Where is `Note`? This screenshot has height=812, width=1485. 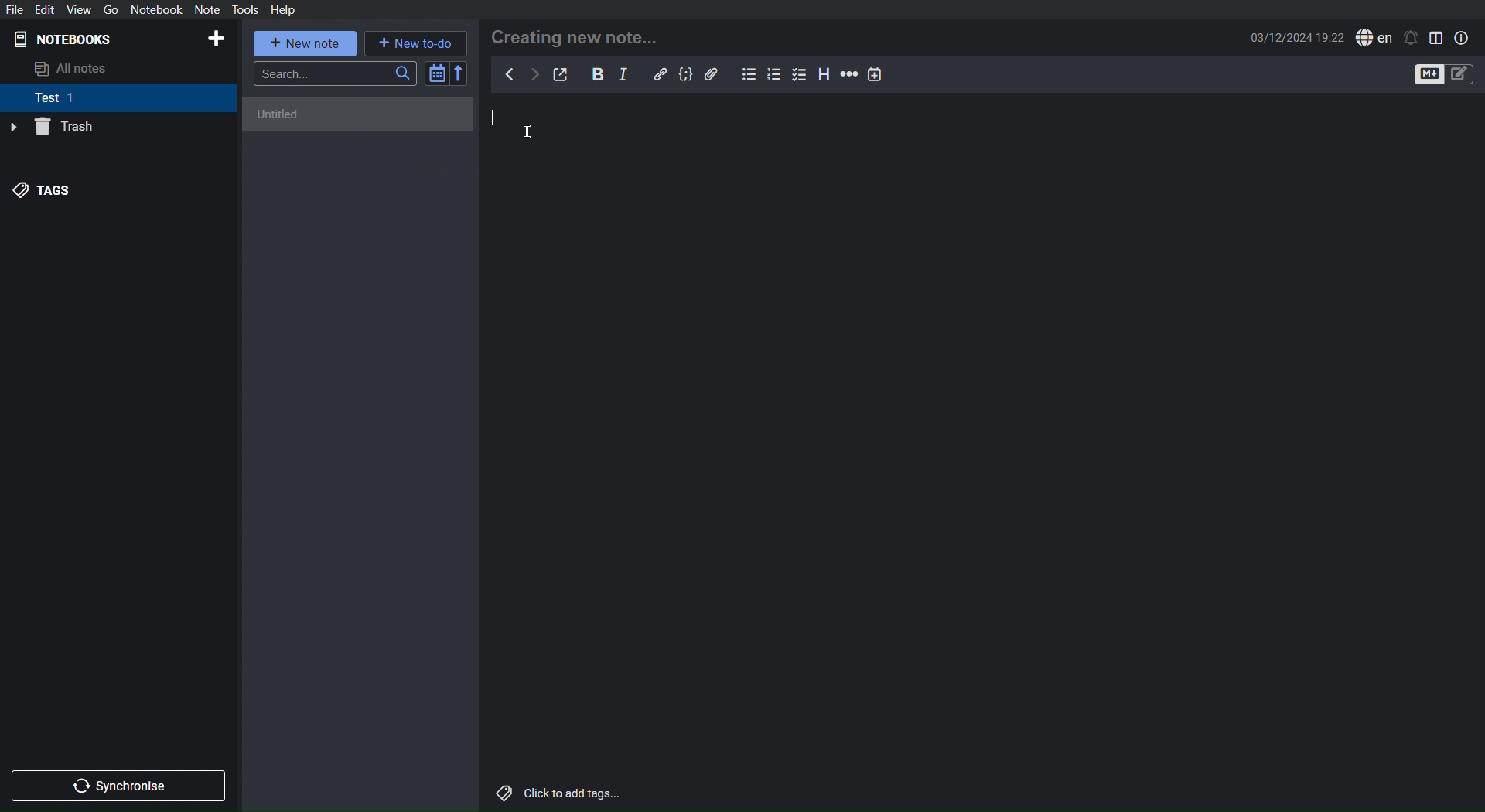
Note is located at coordinates (207, 10).